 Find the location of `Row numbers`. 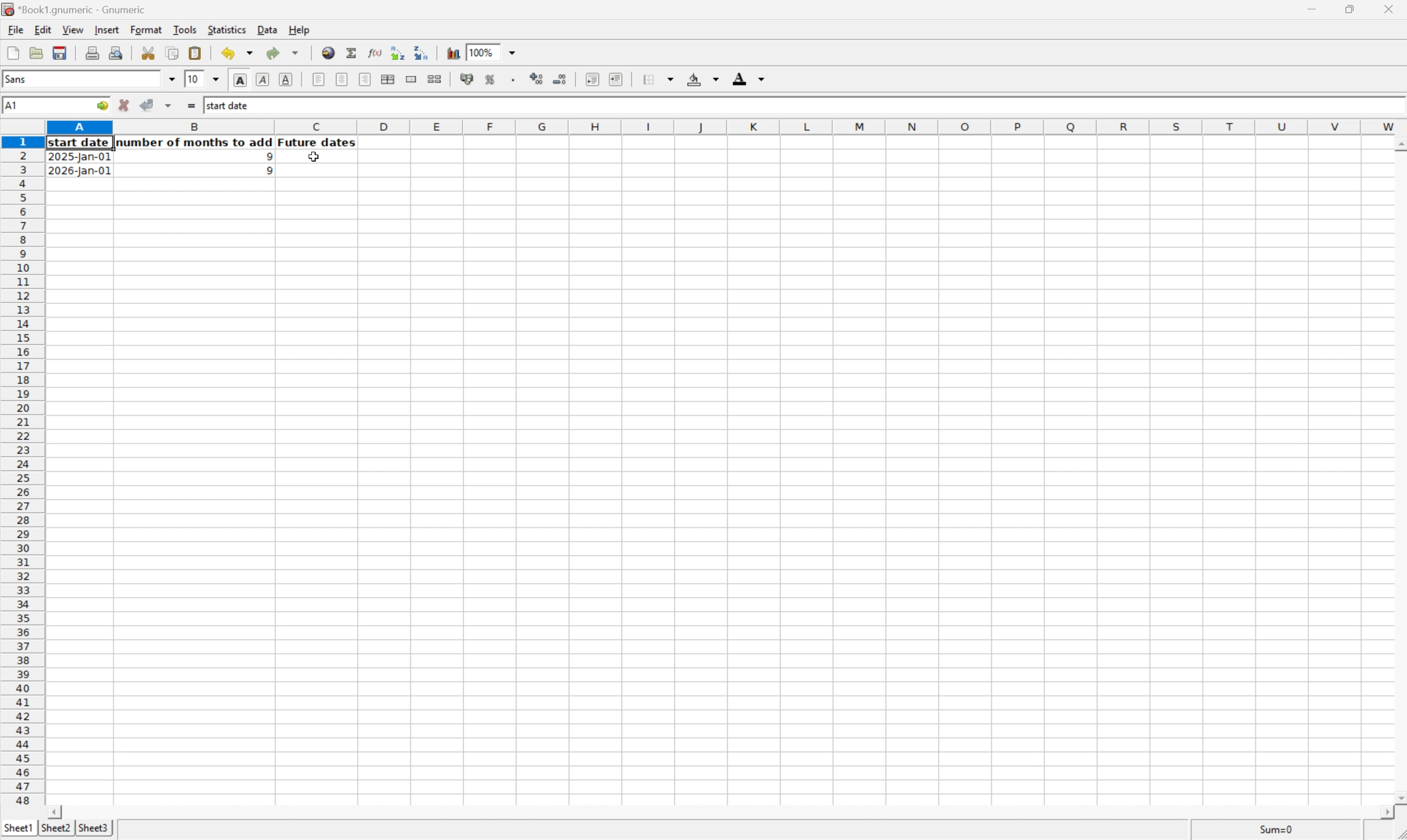

Row numbers is located at coordinates (22, 471).